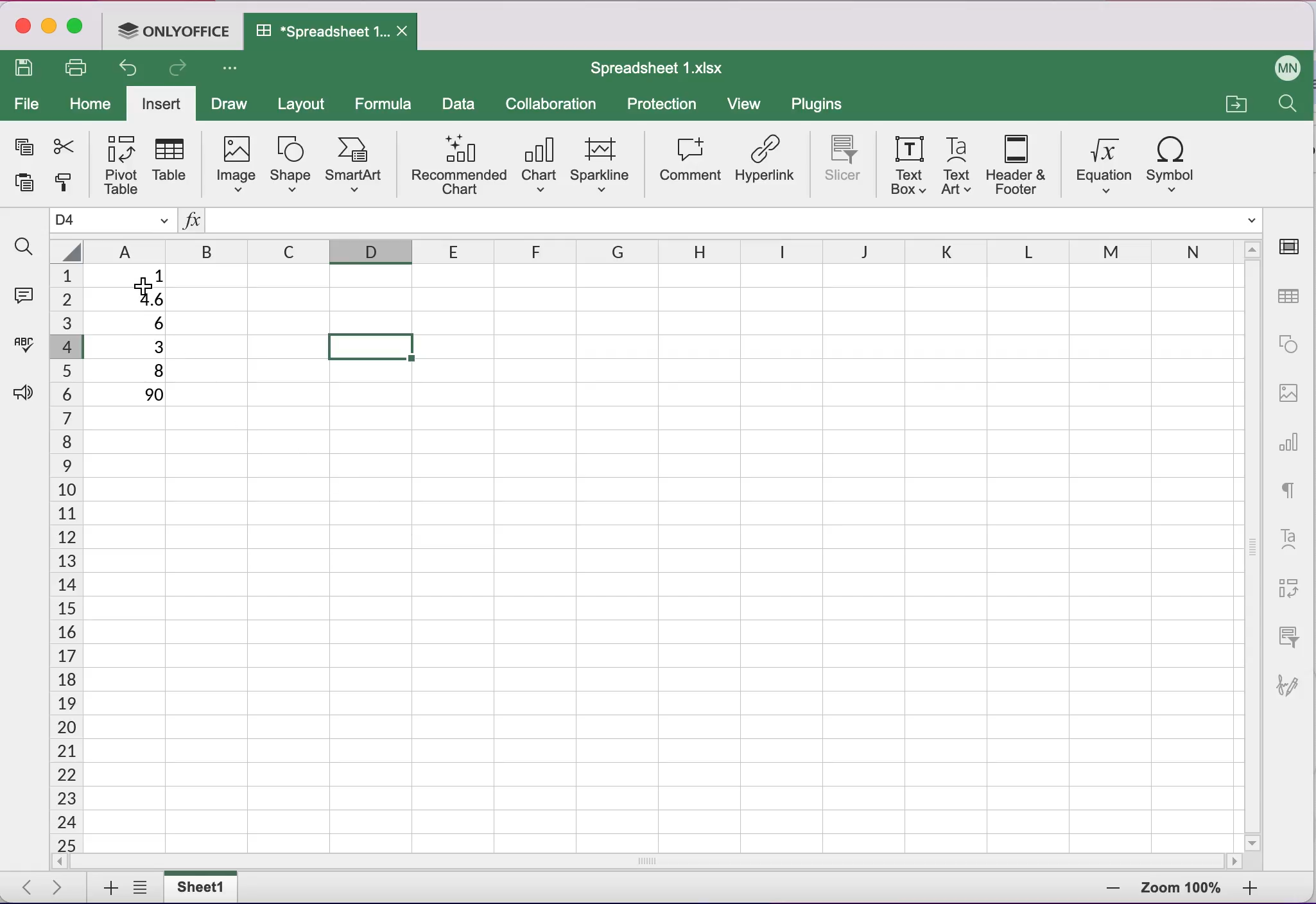  Describe the element at coordinates (1290, 447) in the screenshot. I see `chart` at that location.